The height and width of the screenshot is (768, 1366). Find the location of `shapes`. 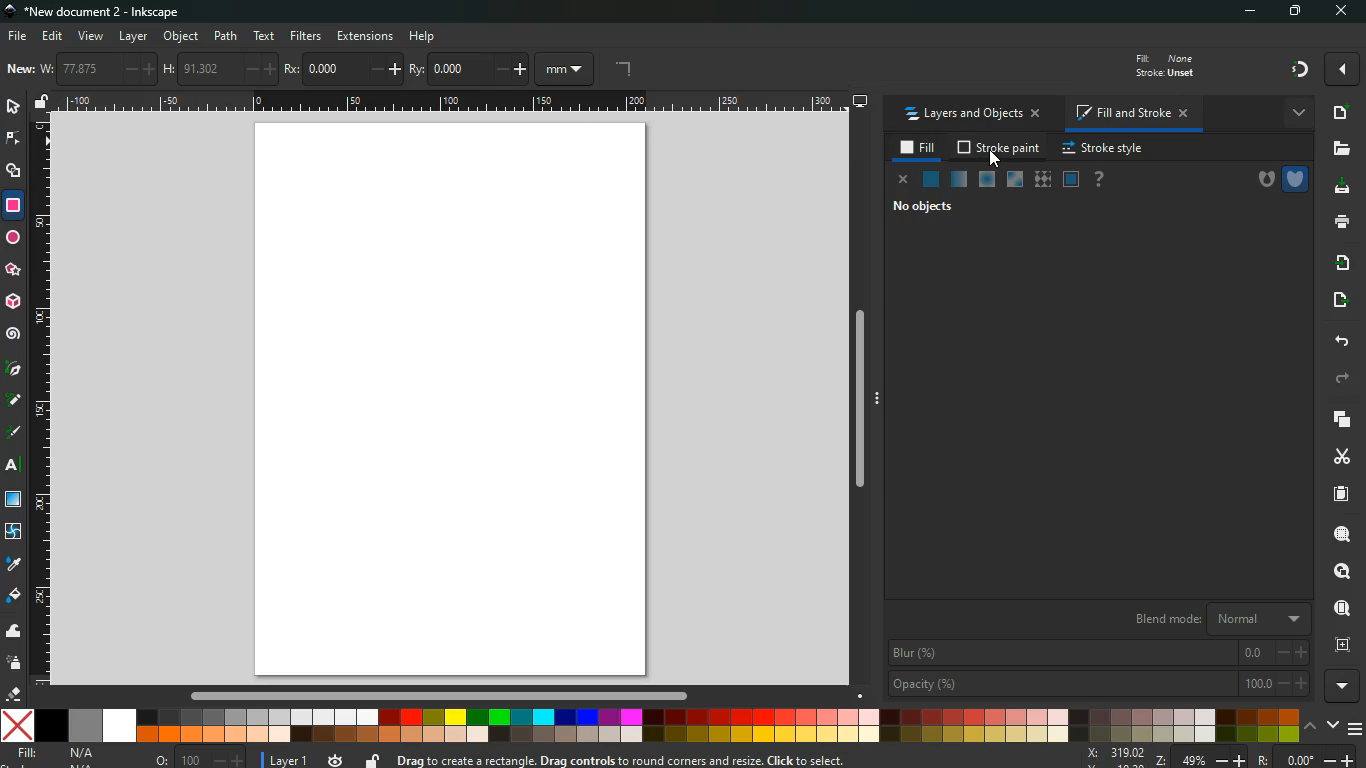

shapes is located at coordinates (15, 174).